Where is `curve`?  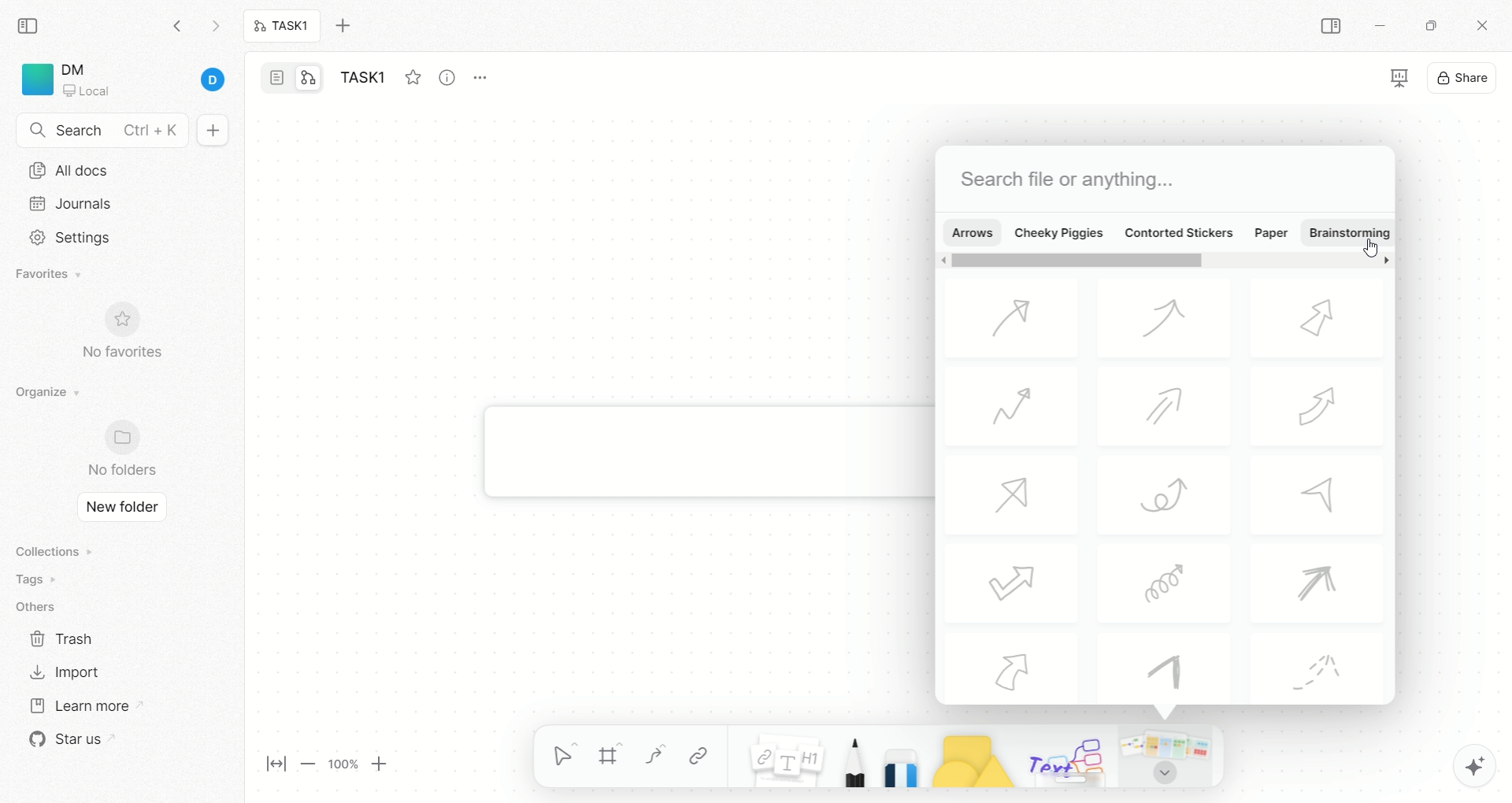
curve is located at coordinates (654, 758).